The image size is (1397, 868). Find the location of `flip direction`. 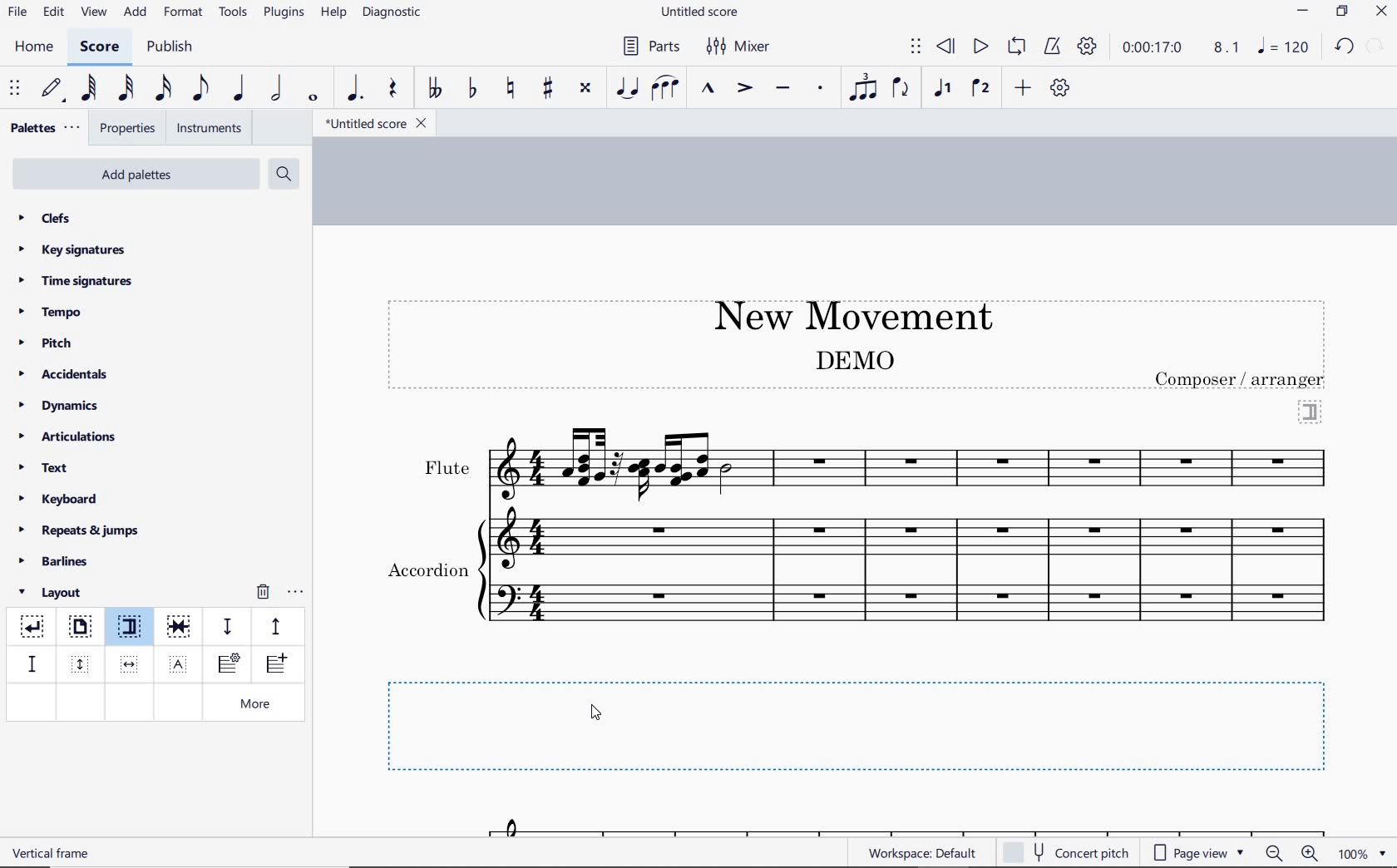

flip direction is located at coordinates (901, 86).